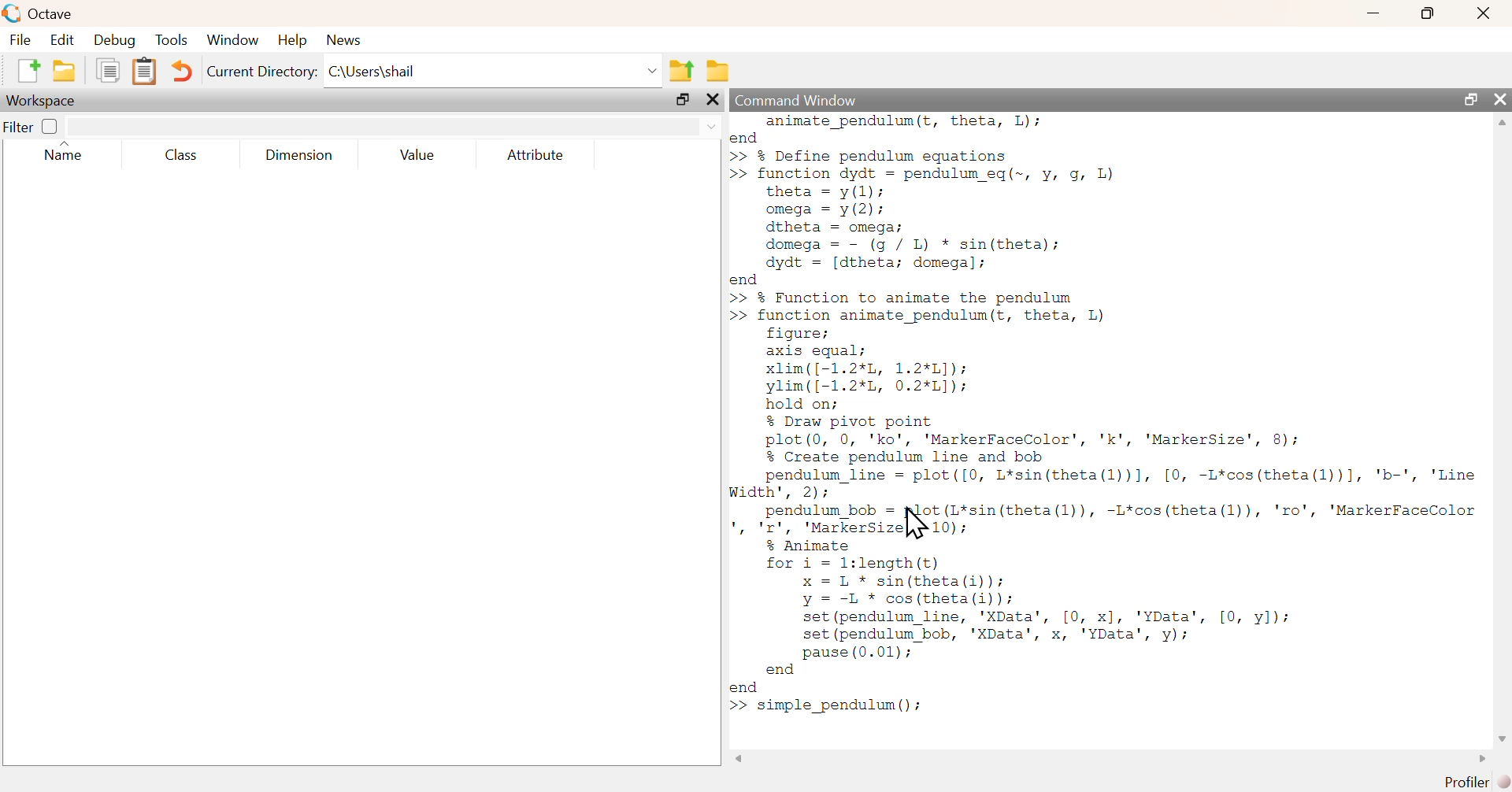  What do you see at coordinates (68, 70) in the screenshot?
I see `open an existing file in directory` at bounding box center [68, 70].